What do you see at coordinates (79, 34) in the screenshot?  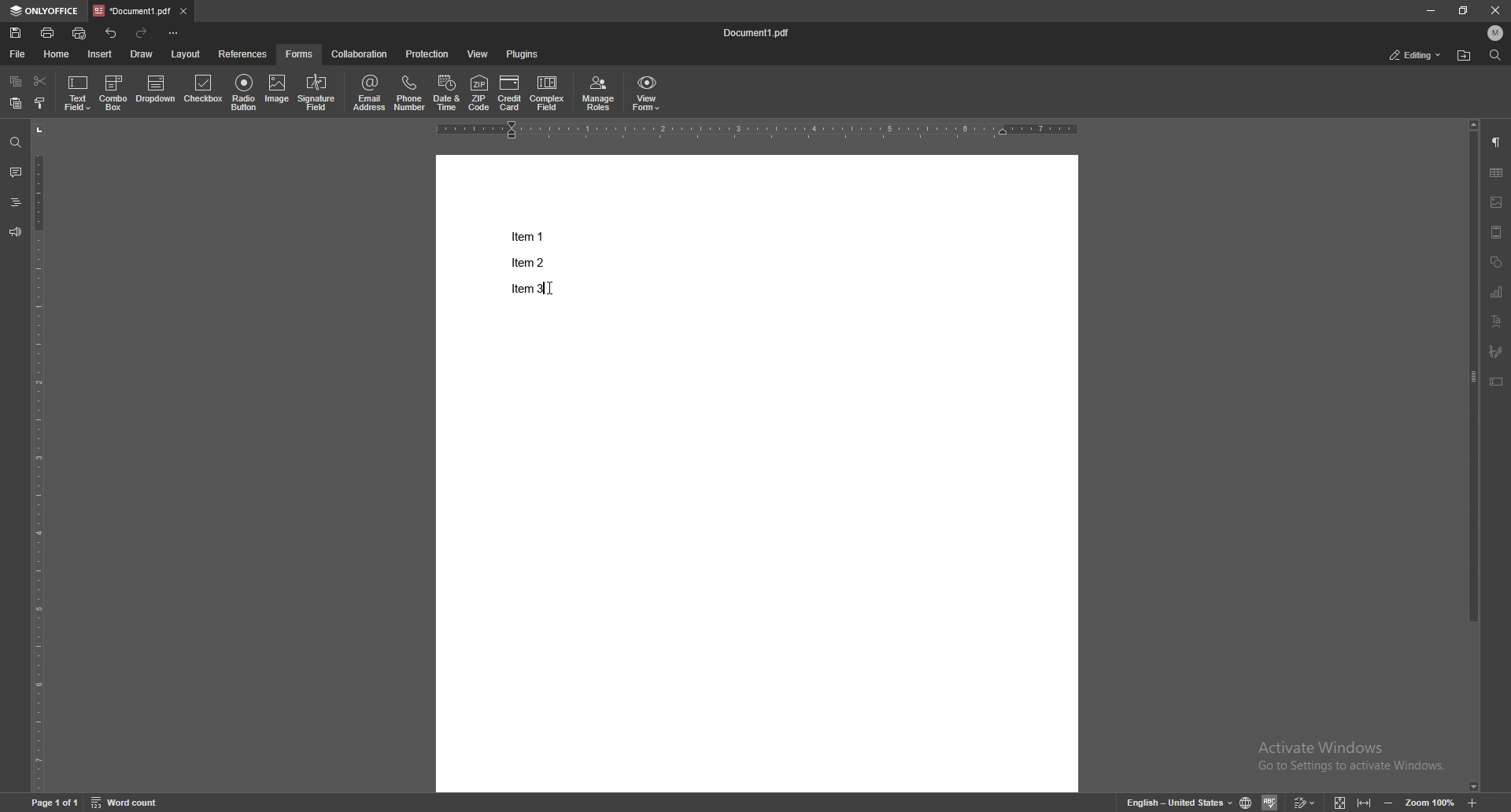 I see `quick print` at bounding box center [79, 34].